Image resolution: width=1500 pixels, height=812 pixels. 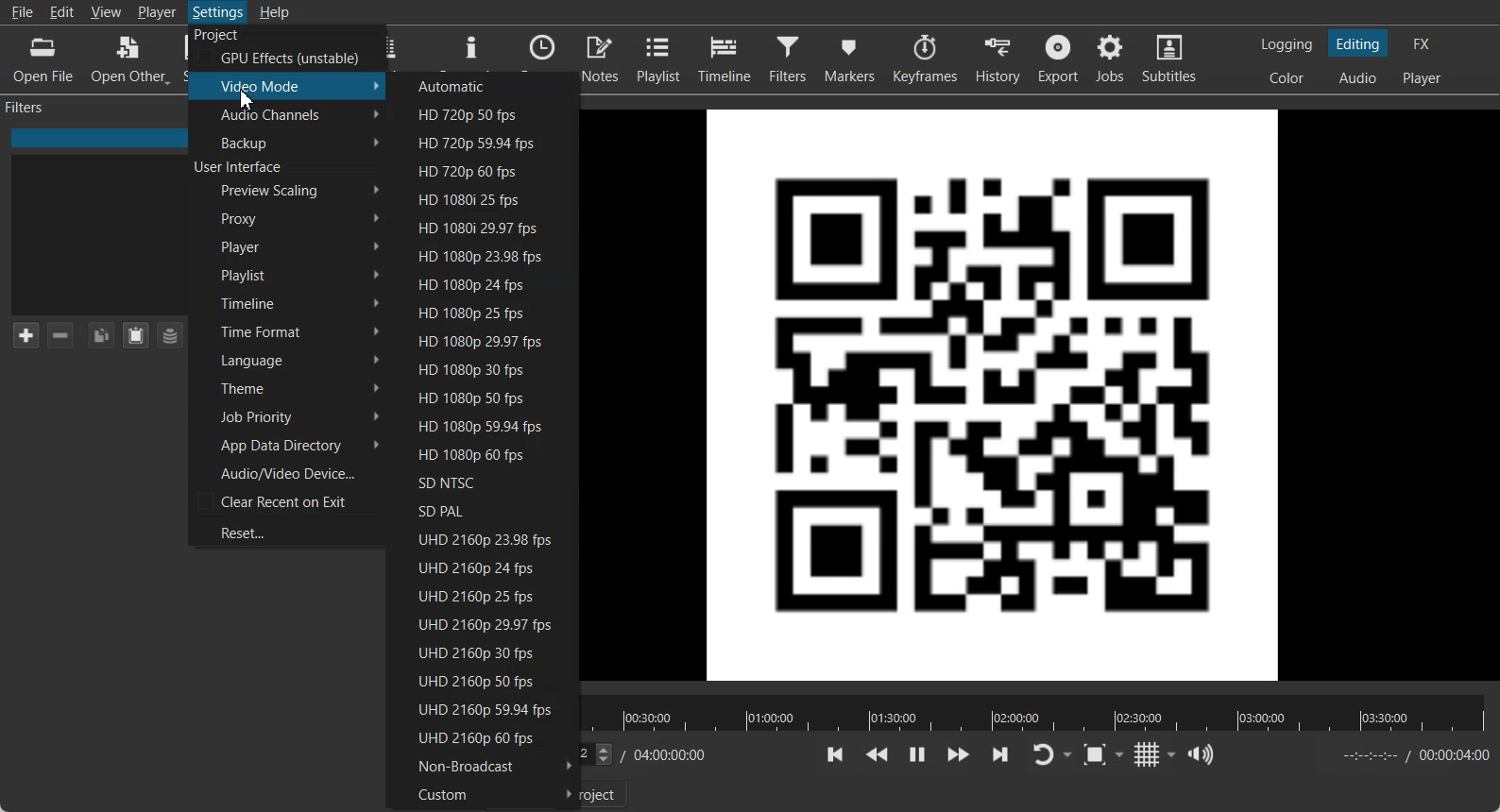 What do you see at coordinates (1288, 77) in the screenshot?
I see `Switch to the color layout` at bounding box center [1288, 77].